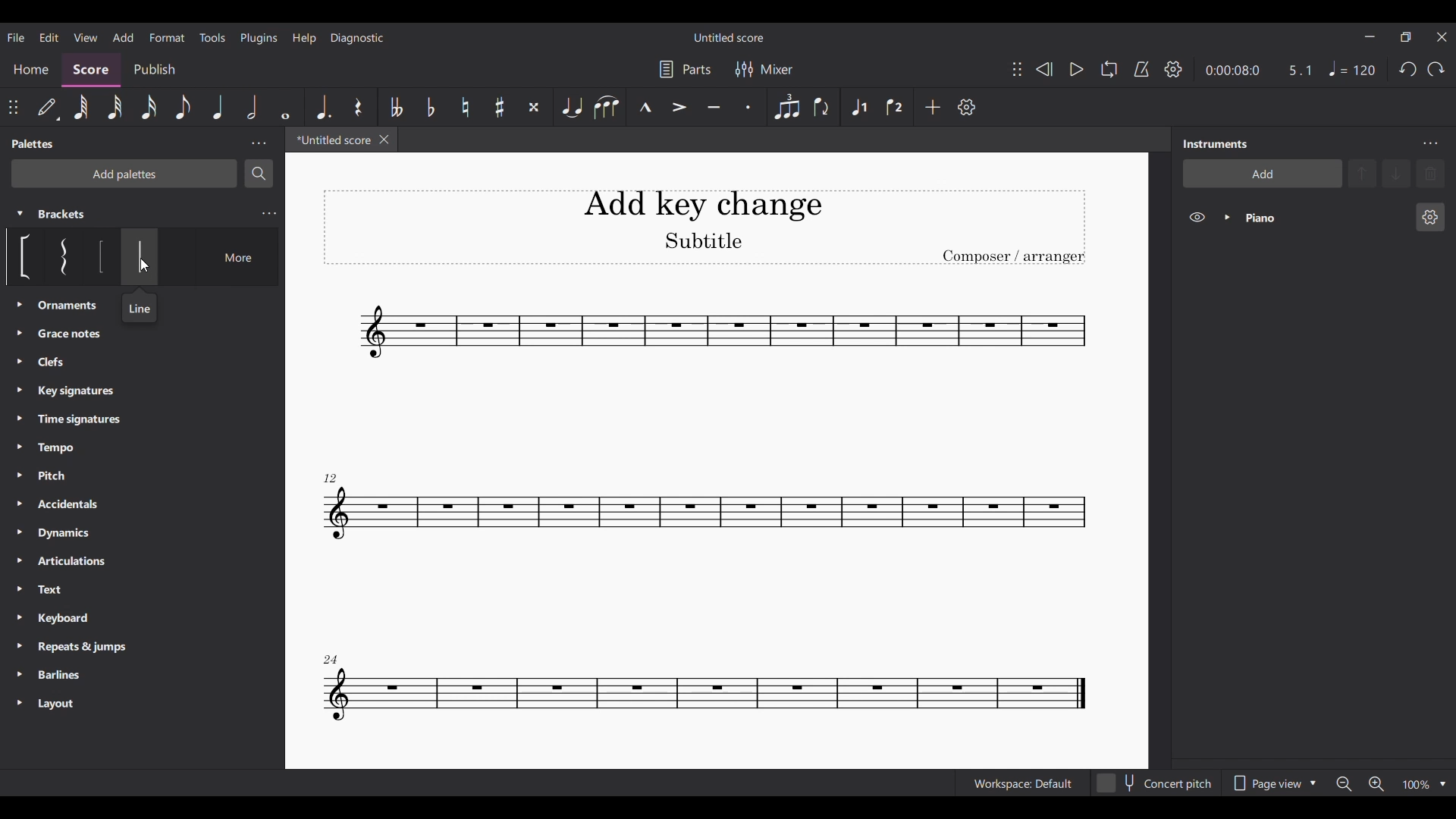  What do you see at coordinates (933, 107) in the screenshot?
I see `Add` at bounding box center [933, 107].